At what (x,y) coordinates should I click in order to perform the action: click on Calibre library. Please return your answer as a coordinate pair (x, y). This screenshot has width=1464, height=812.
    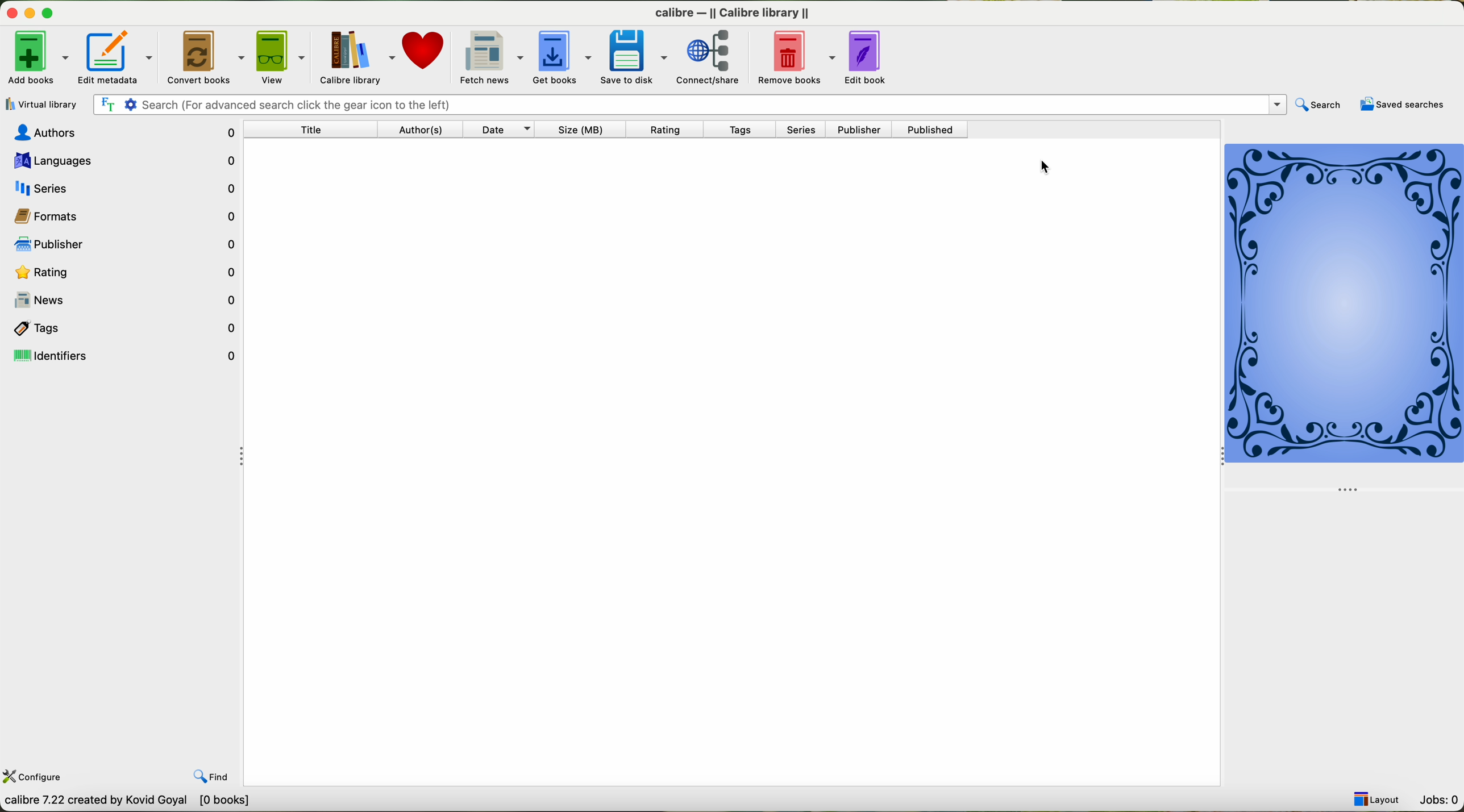
    Looking at the image, I should click on (353, 58).